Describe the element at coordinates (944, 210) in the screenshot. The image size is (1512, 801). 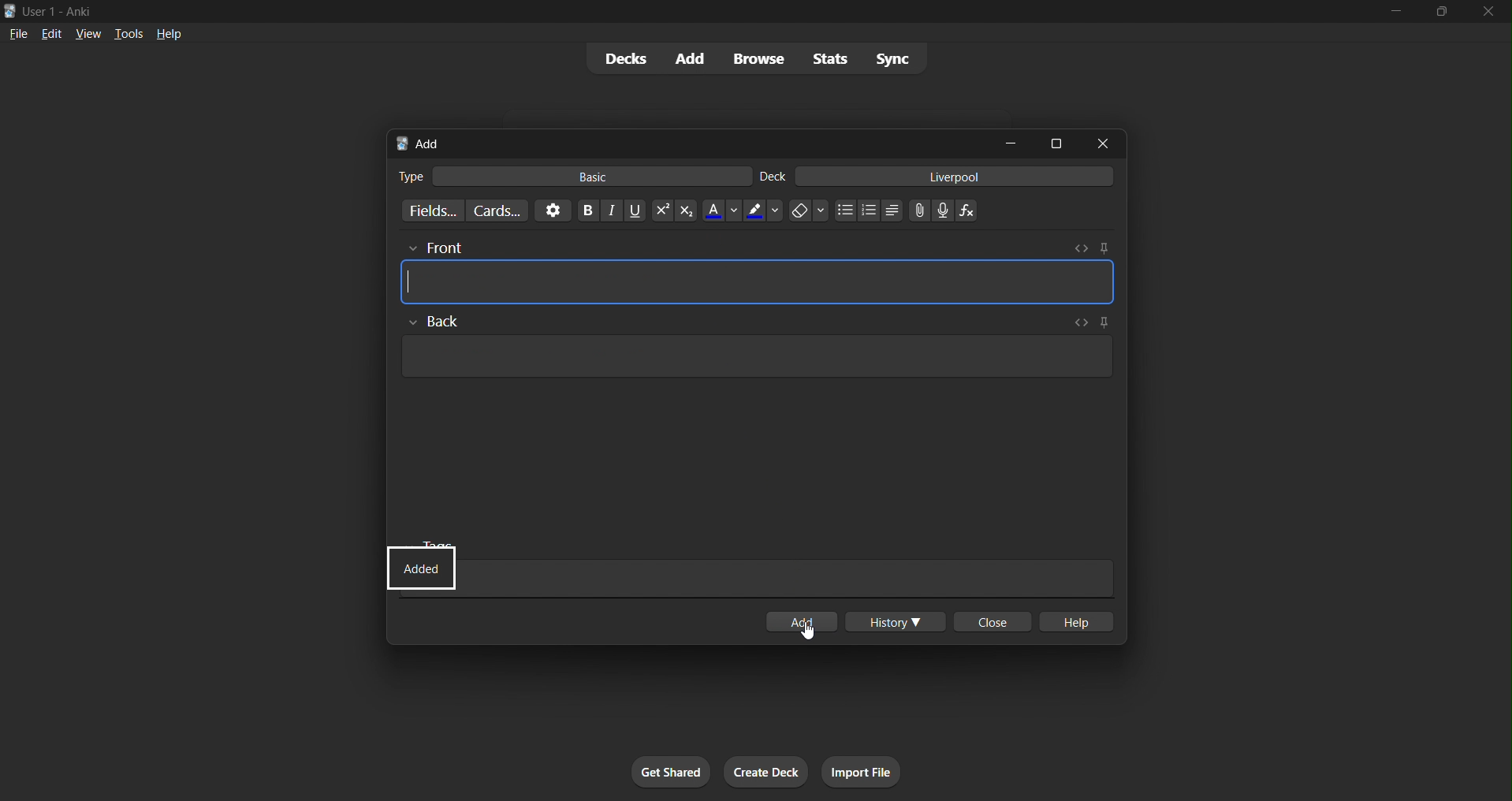
I see `record audio` at that location.